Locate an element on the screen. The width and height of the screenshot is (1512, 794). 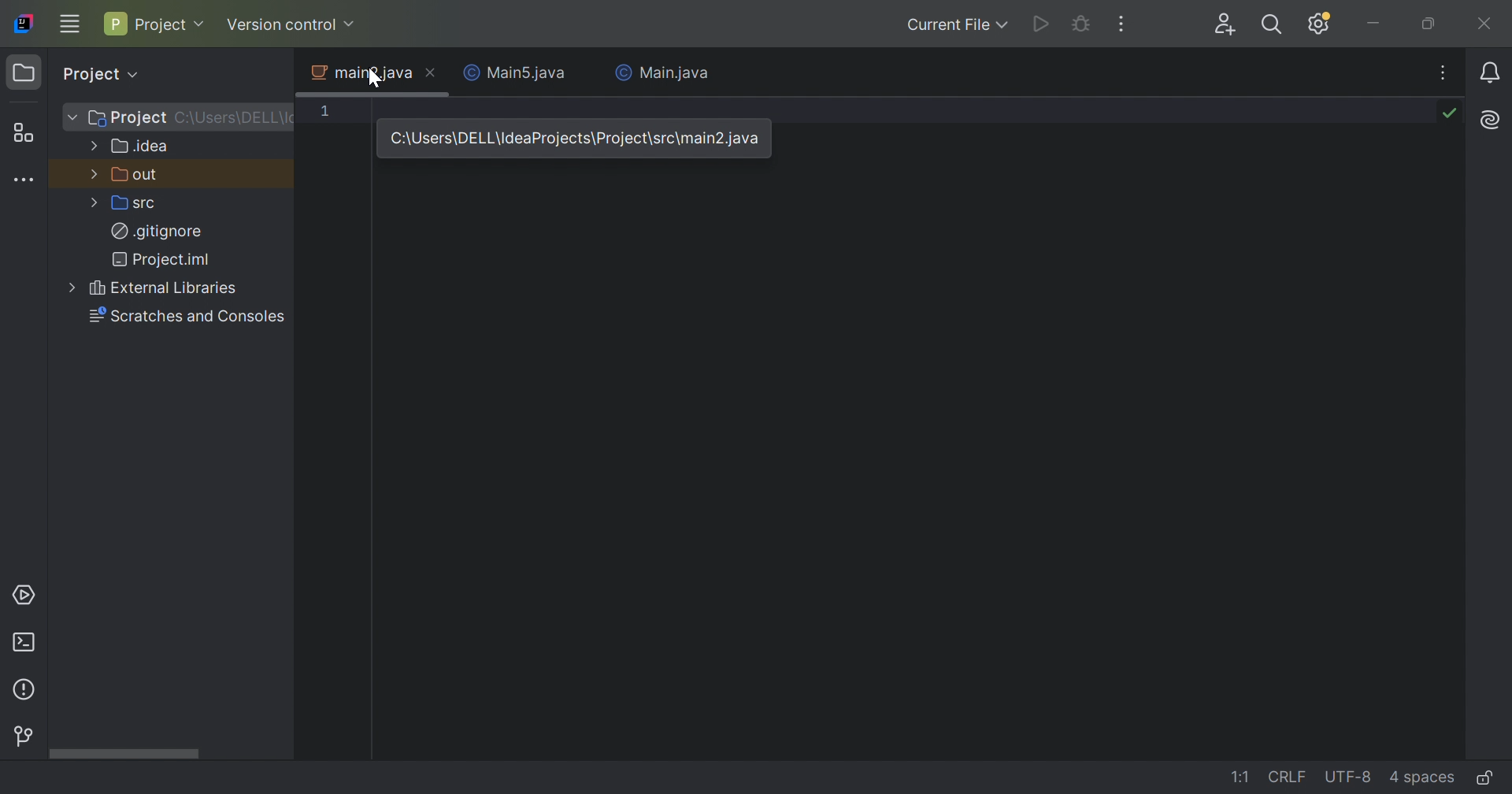
Restore down is located at coordinates (1429, 24).